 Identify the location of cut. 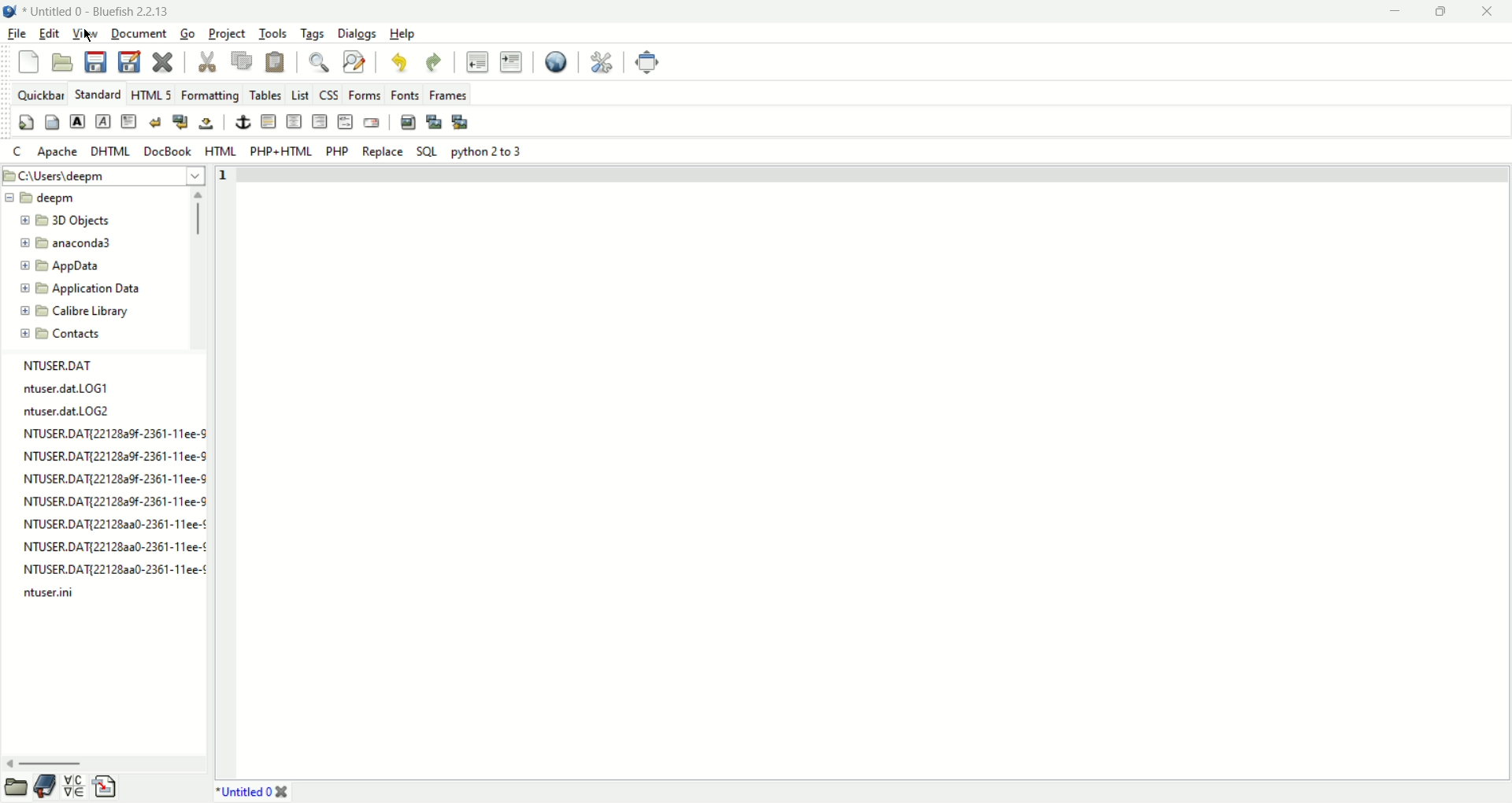
(208, 63).